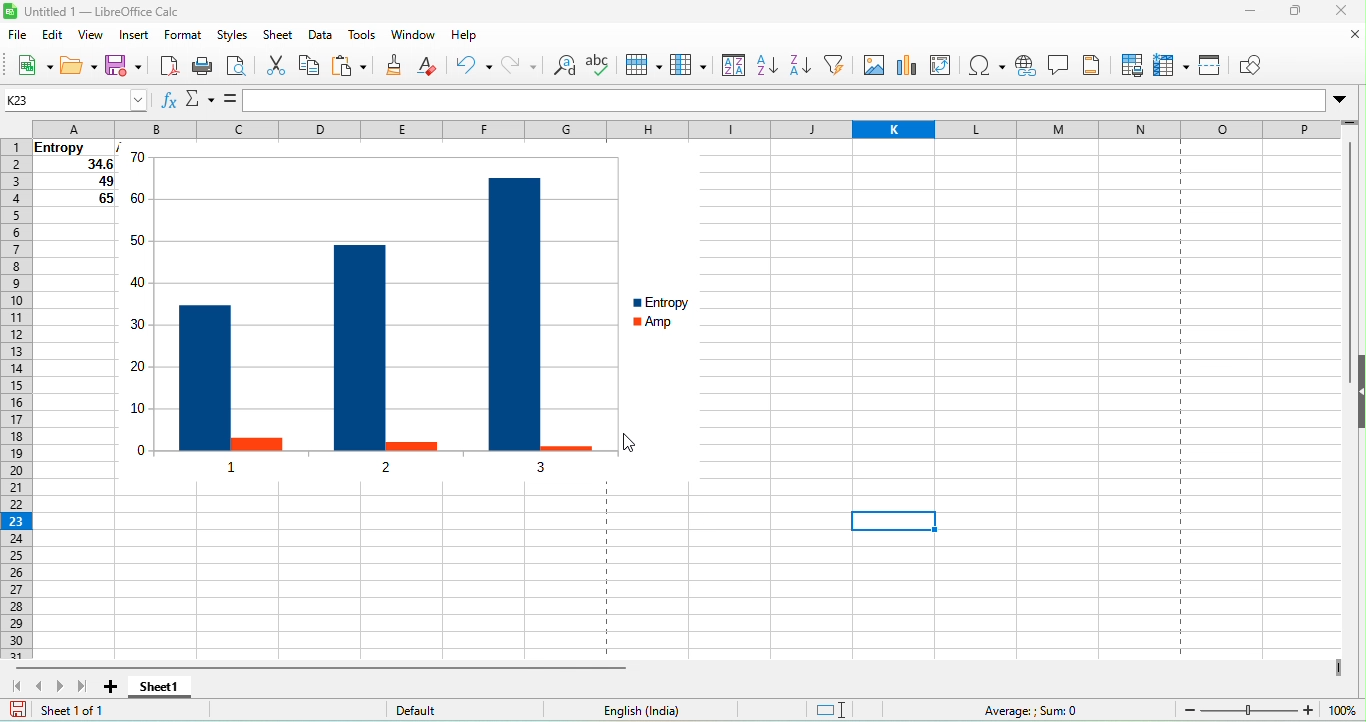 The image size is (1366, 722). What do you see at coordinates (324, 38) in the screenshot?
I see `data` at bounding box center [324, 38].